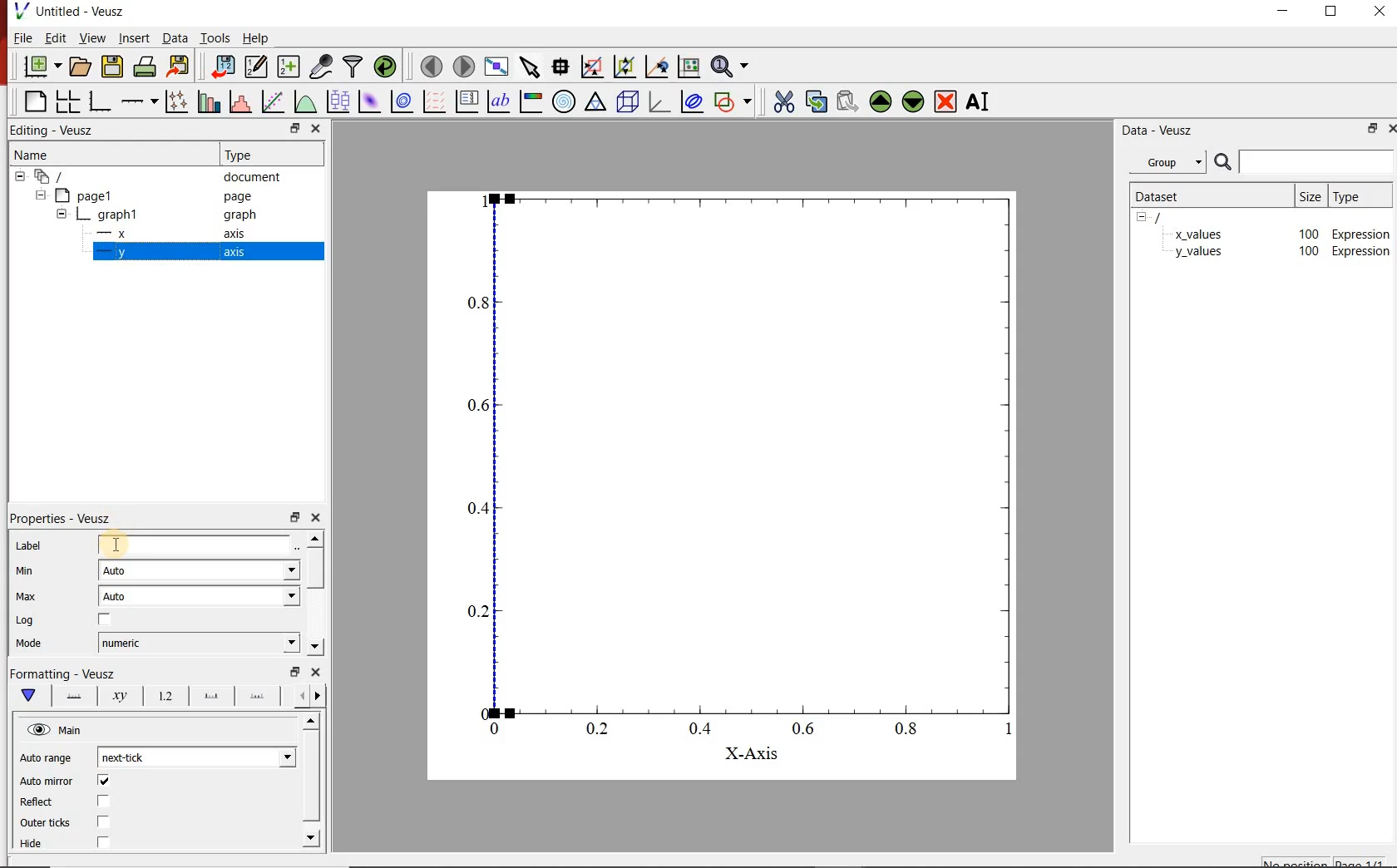 Image resolution: width=1397 pixels, height=868 pixels. Describe the element at coordinates (1389, 128) in the screenshot. I see `close` at that location.